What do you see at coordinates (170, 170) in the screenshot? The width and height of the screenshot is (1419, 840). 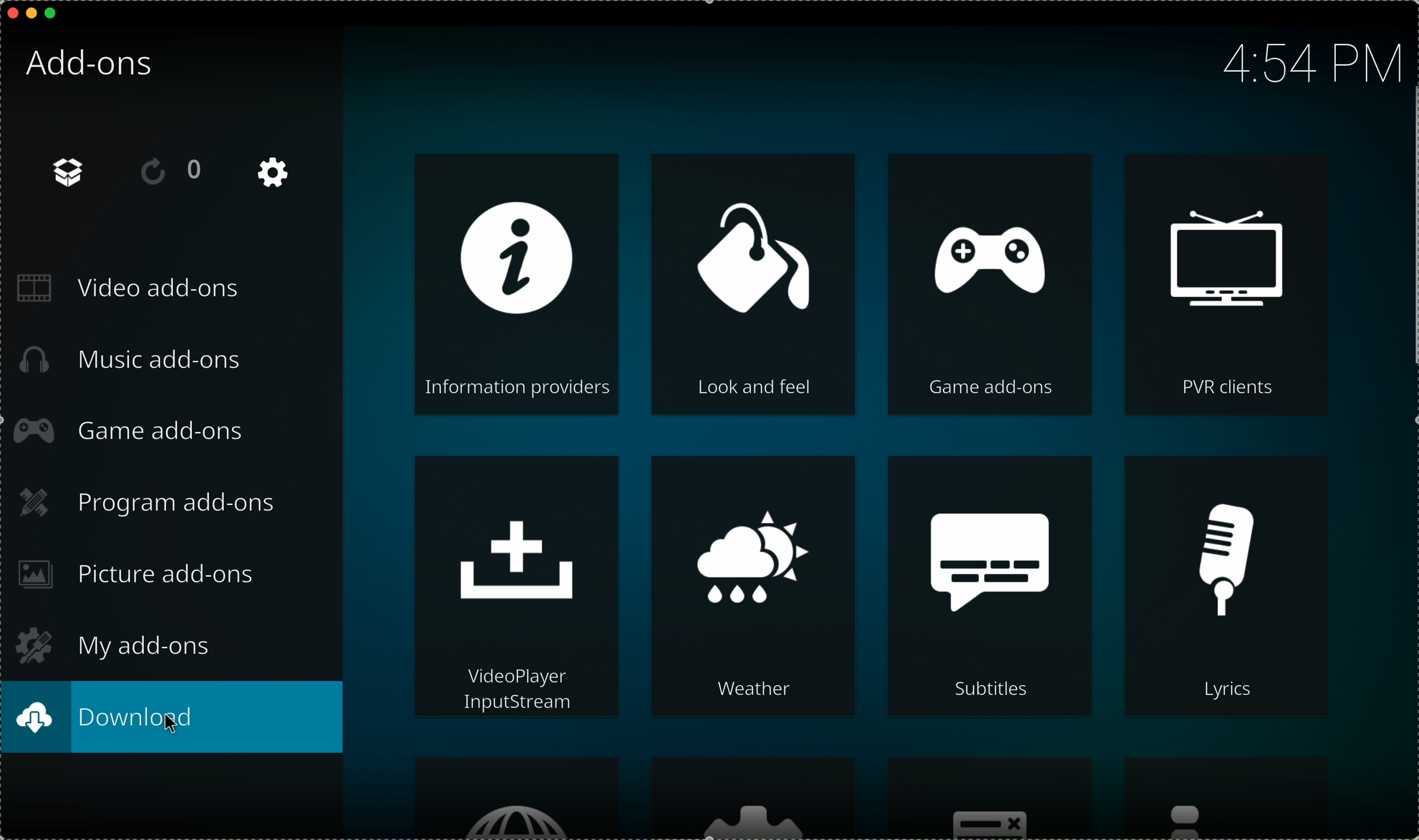 I see `return` at bounding box center [170, 170].